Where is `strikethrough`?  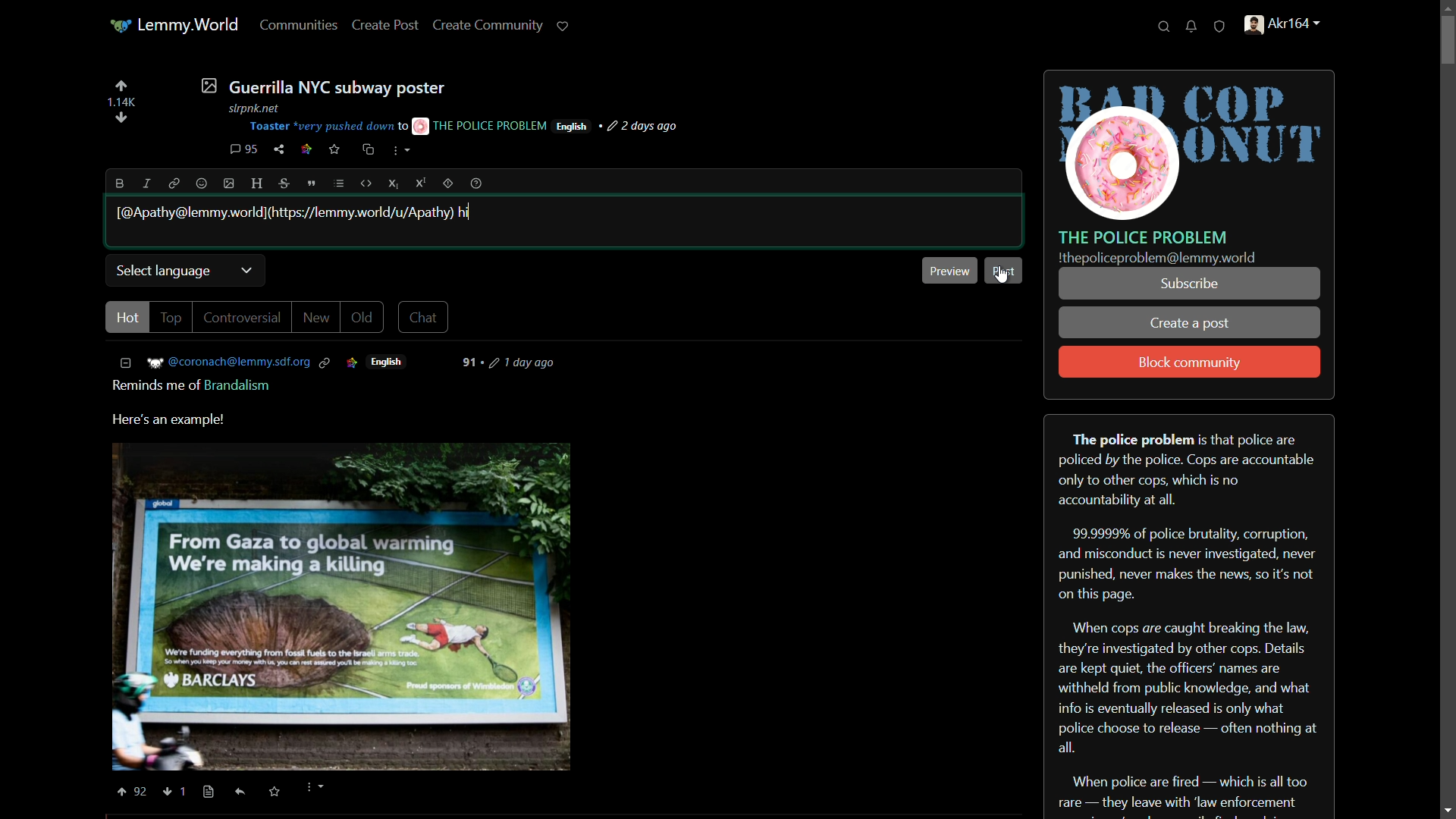 strikethrough is located at coordinates (286, 184).